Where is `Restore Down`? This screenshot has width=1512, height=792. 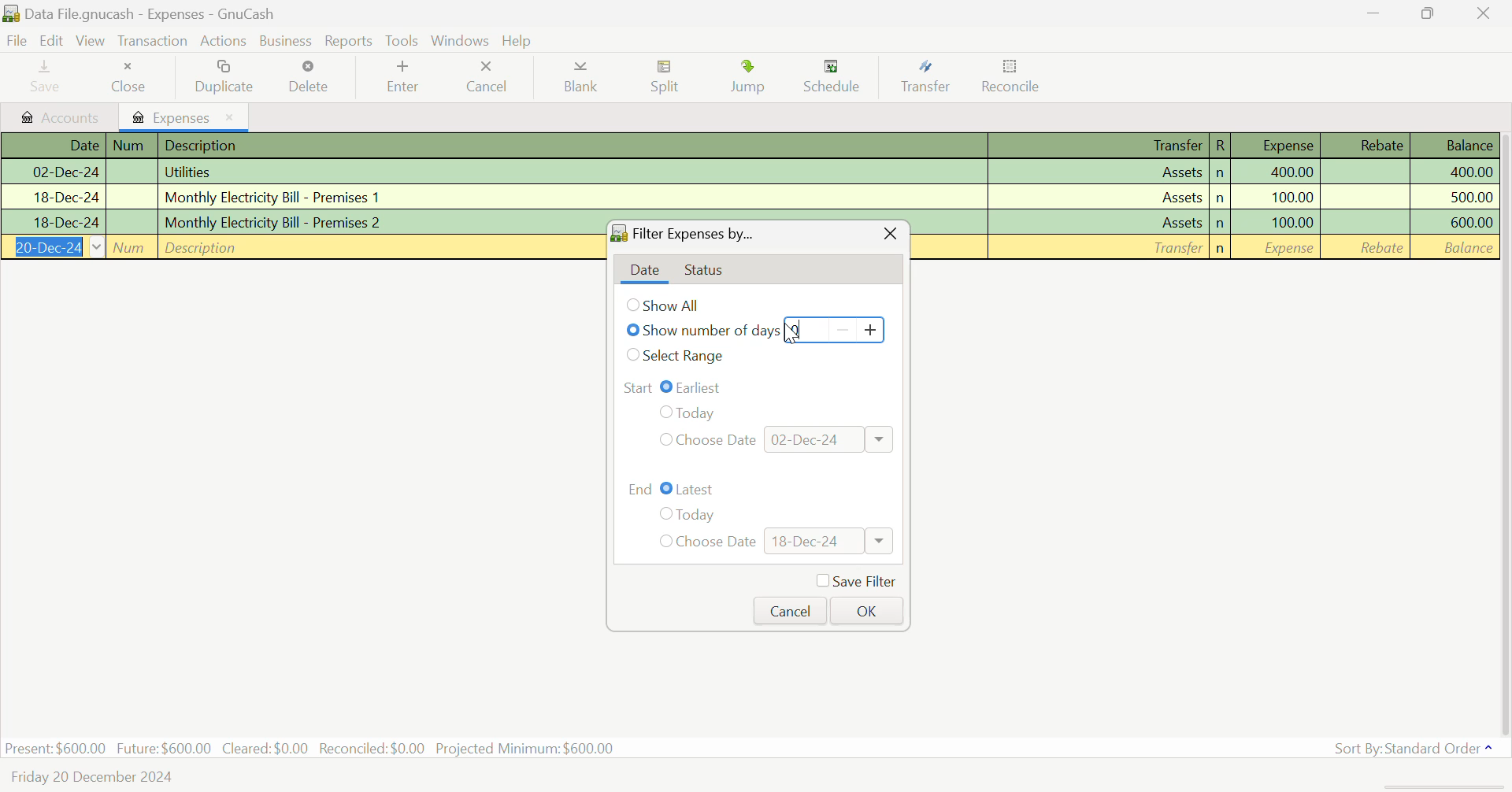
Restore Down is located at coordinates (1380, 13).